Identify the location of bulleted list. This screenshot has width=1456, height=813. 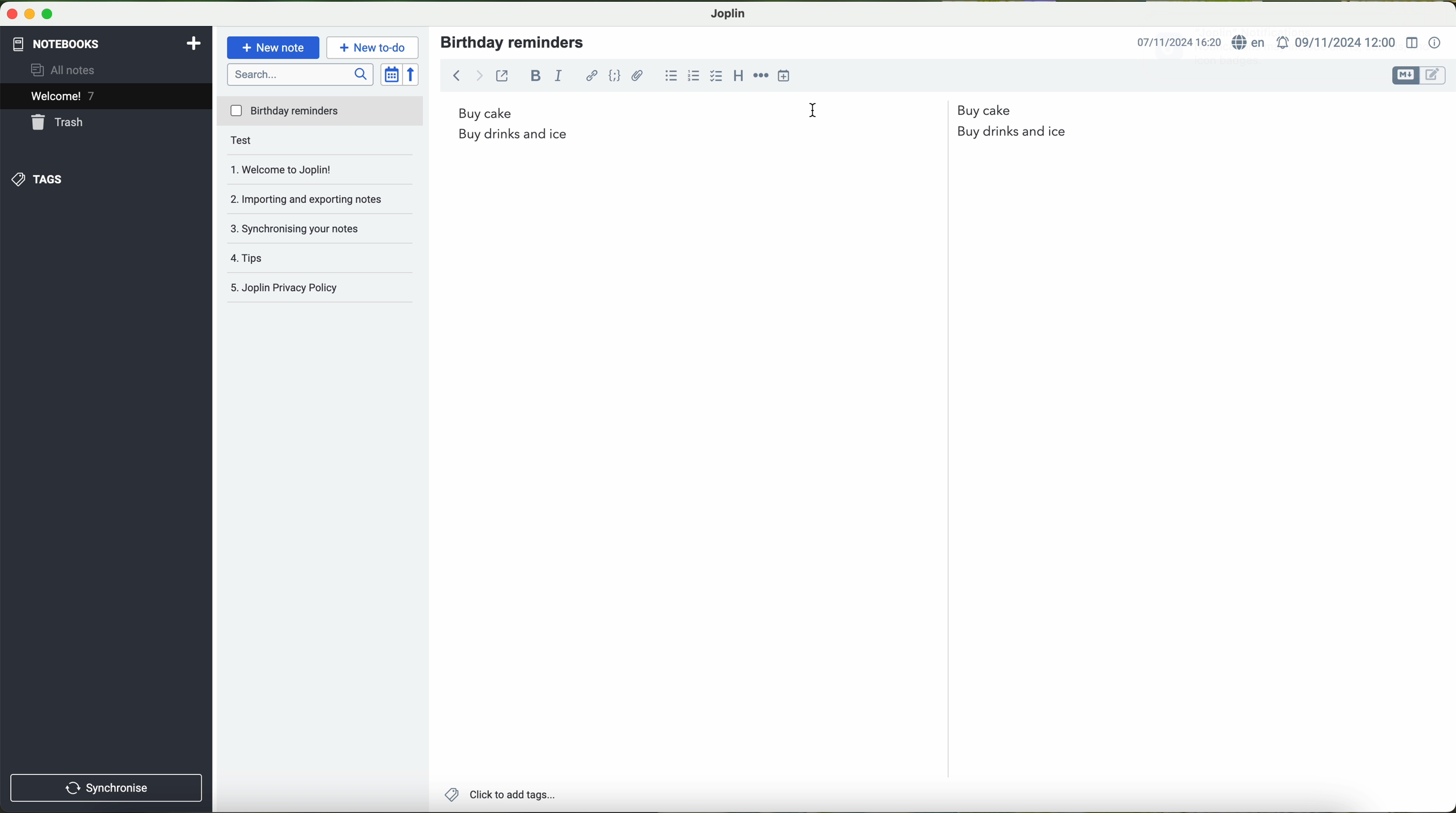
(672, 75).